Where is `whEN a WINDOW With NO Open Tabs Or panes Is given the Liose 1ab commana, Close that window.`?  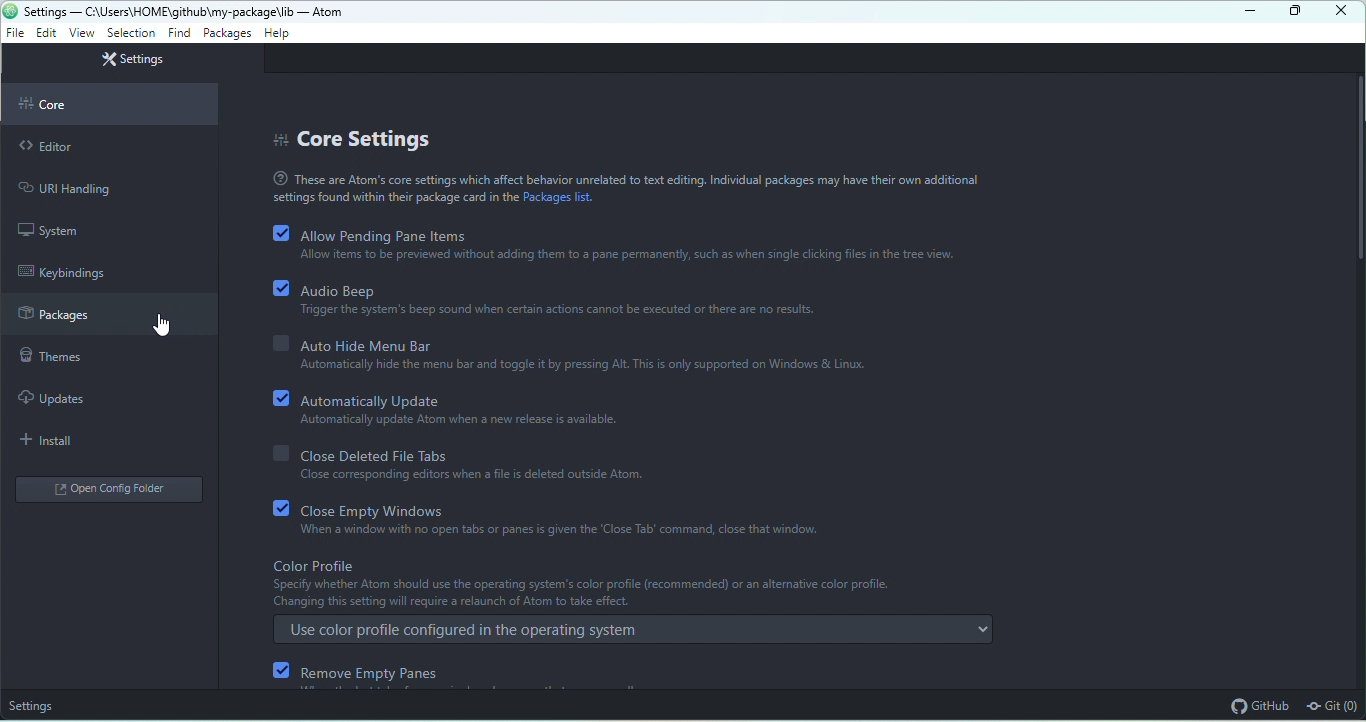 whEN a WINDOW With NO Open Tabs Or panes Is given the Liose 1ab commana, Close that window. is located at coordinates (565, 529).